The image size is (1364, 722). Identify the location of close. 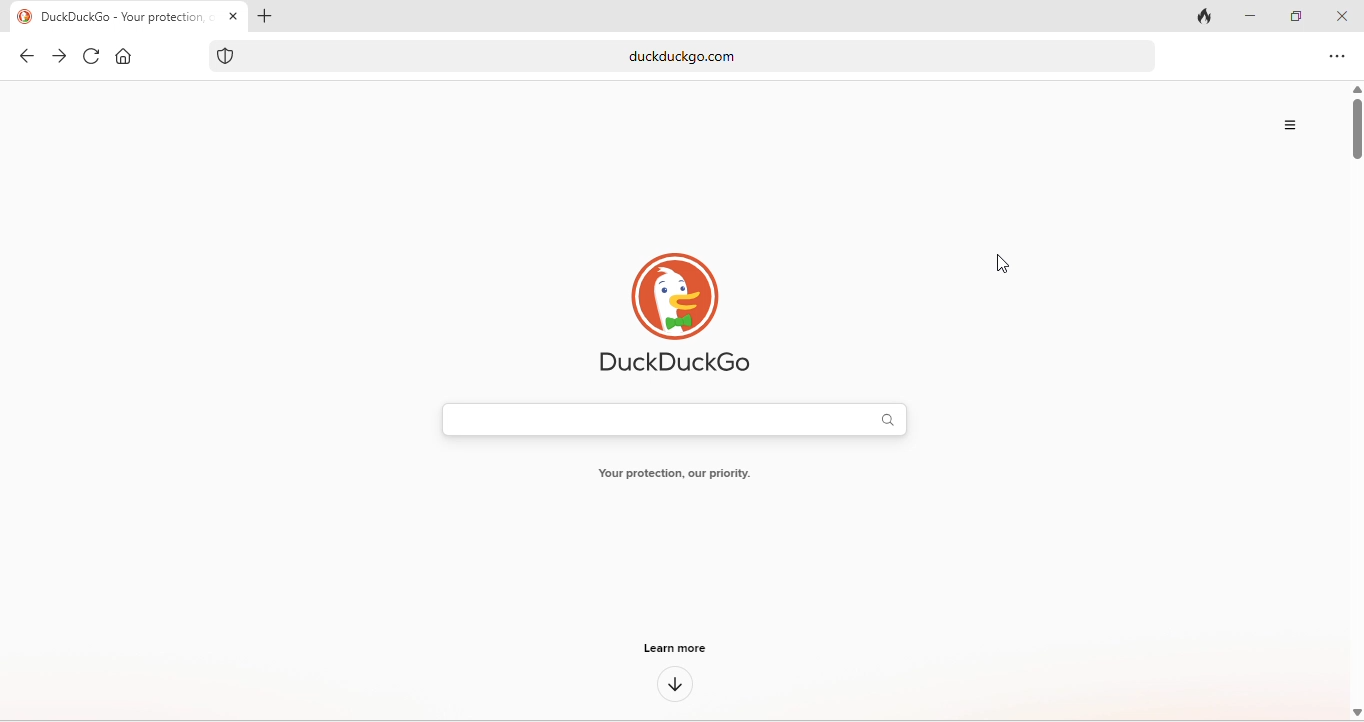
(1341, 15).